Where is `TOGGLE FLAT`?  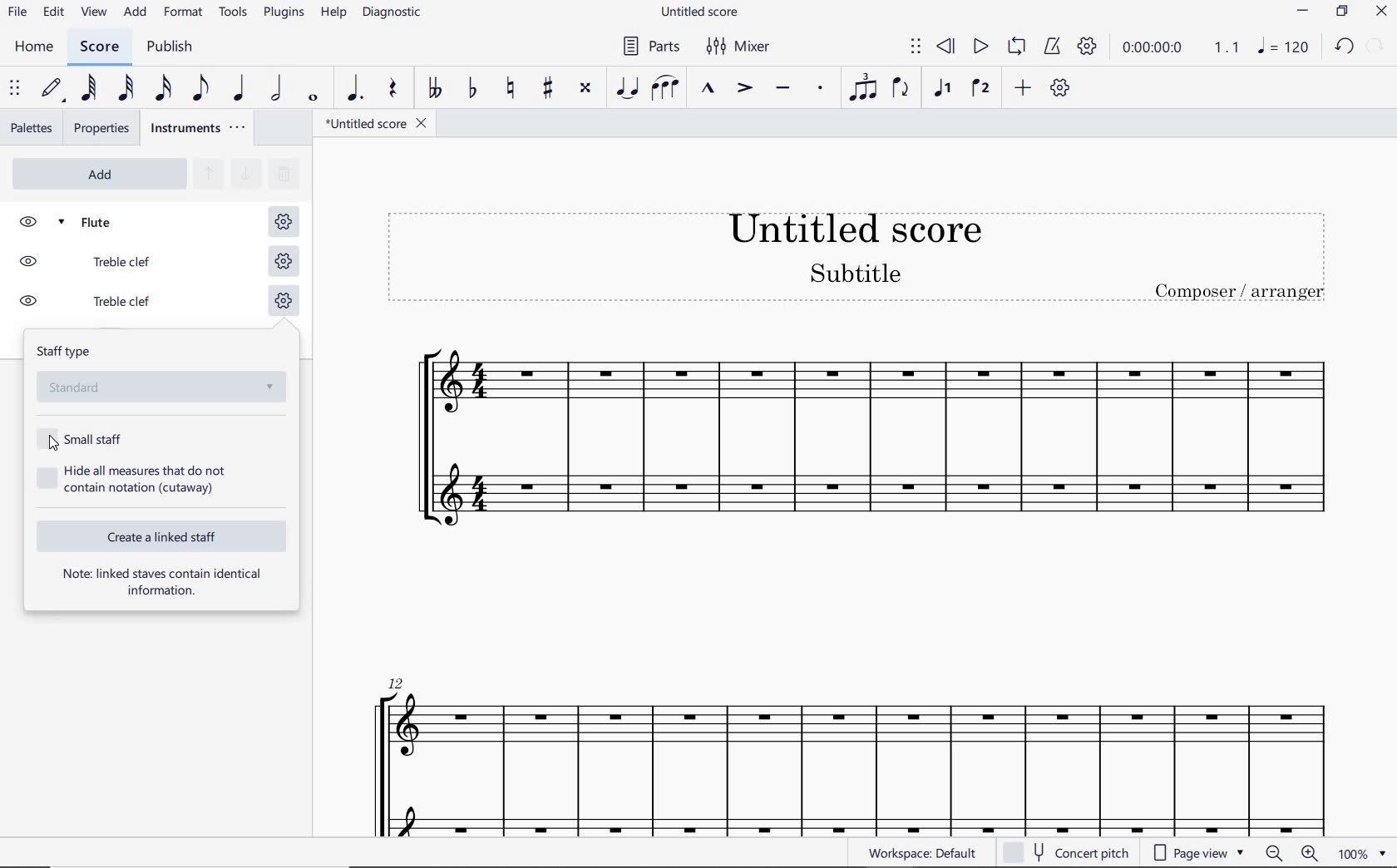 TOGGLE FLAT is located at coordinates (473, 89).